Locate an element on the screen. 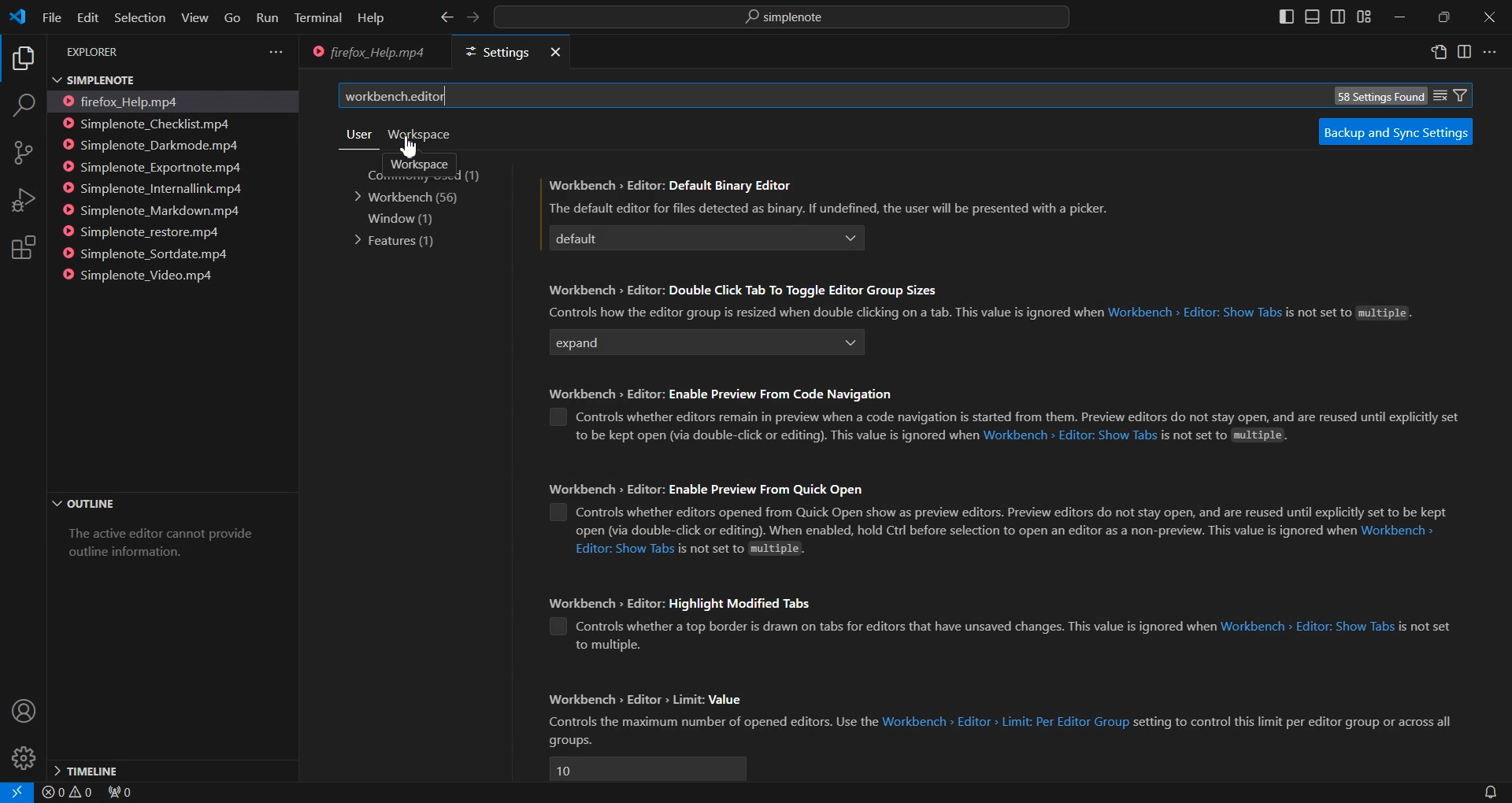 This screenshot has height=803, width=1512. Workbench > Editor > Limit: Value is located at coordinates (658, 701).